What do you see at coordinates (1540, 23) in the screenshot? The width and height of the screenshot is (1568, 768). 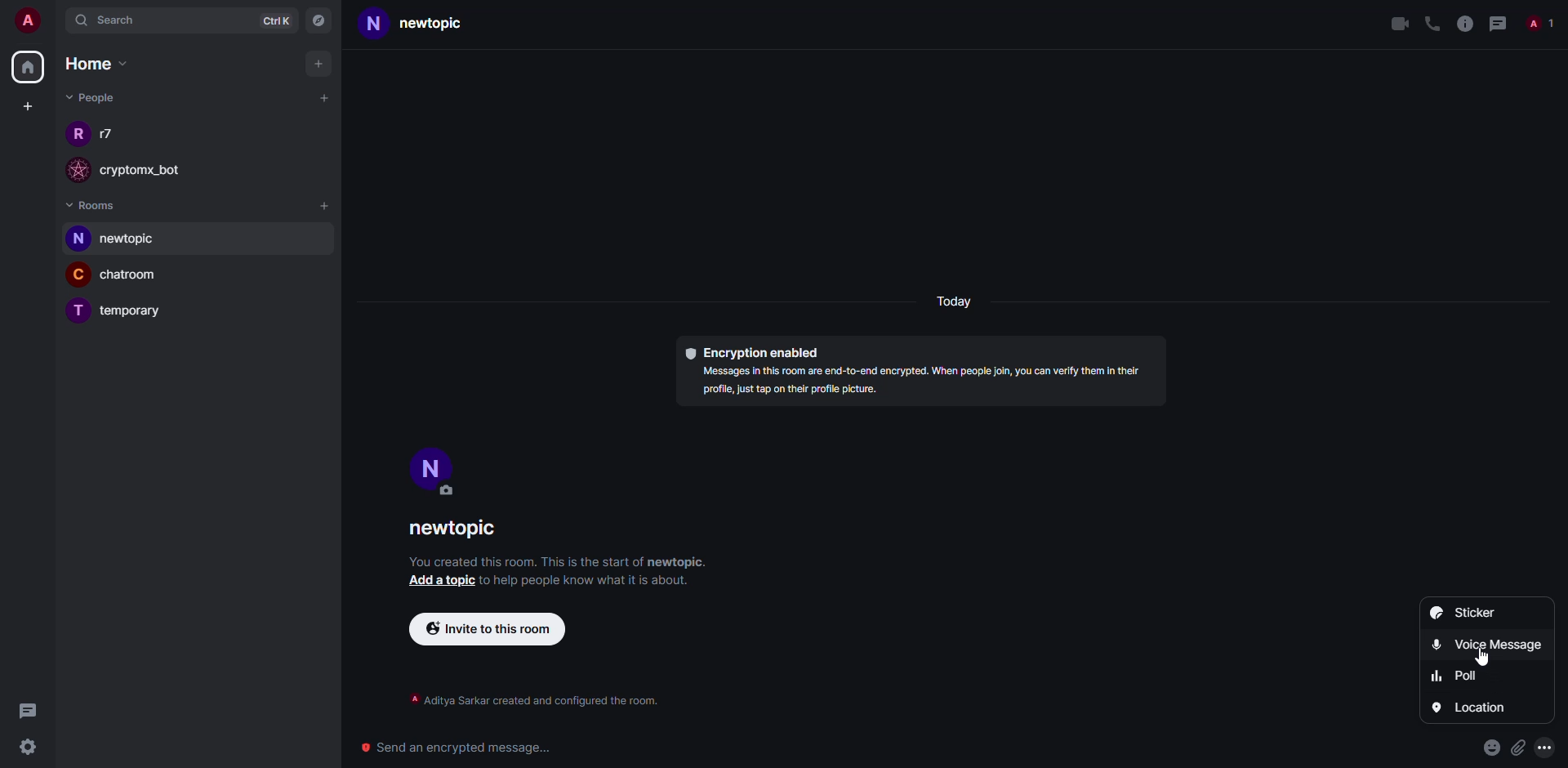 I see `people` at bounding box center [1540, 23].